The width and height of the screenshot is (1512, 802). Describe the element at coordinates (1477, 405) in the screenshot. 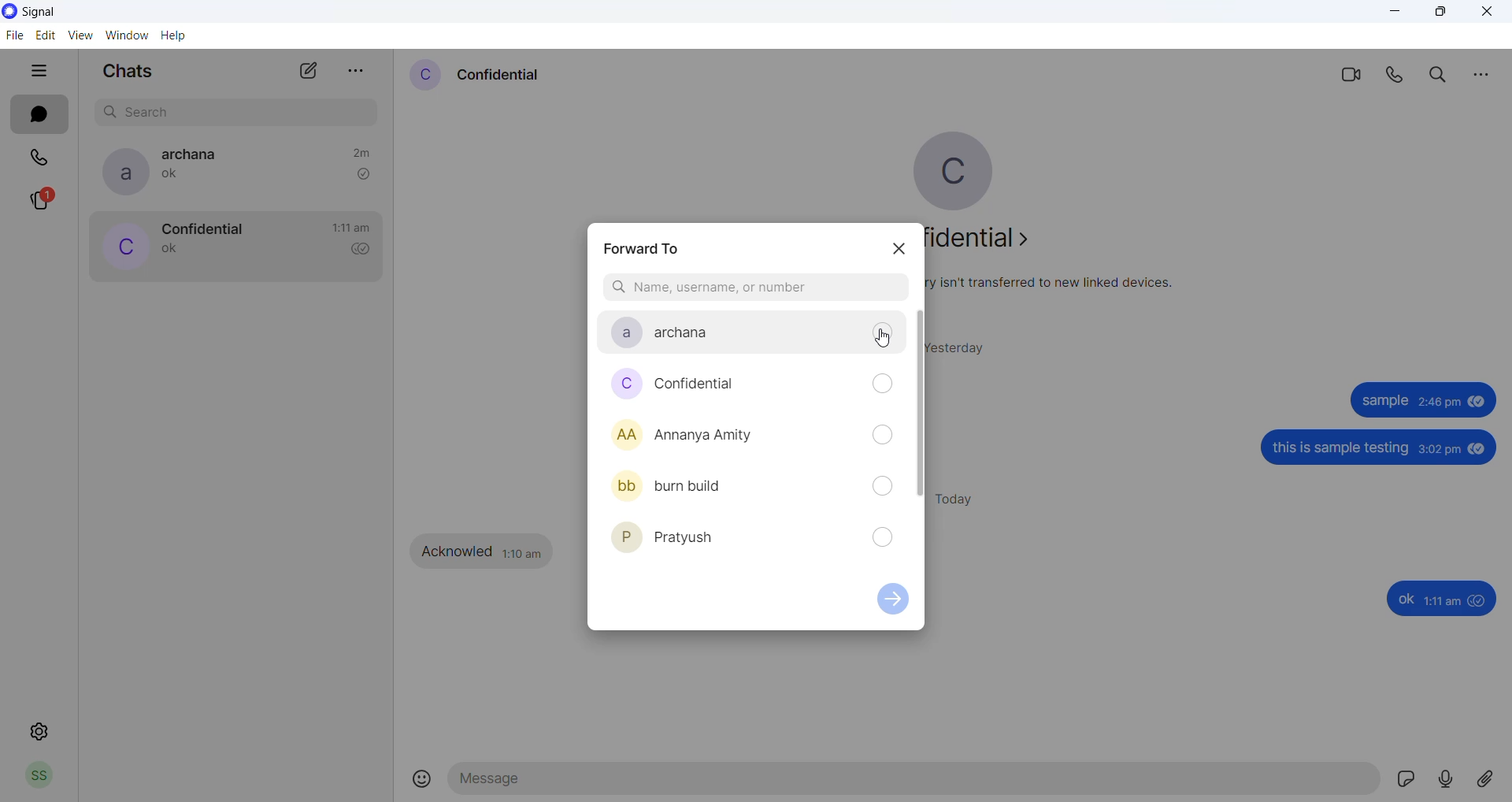

I see `seen` at that location.